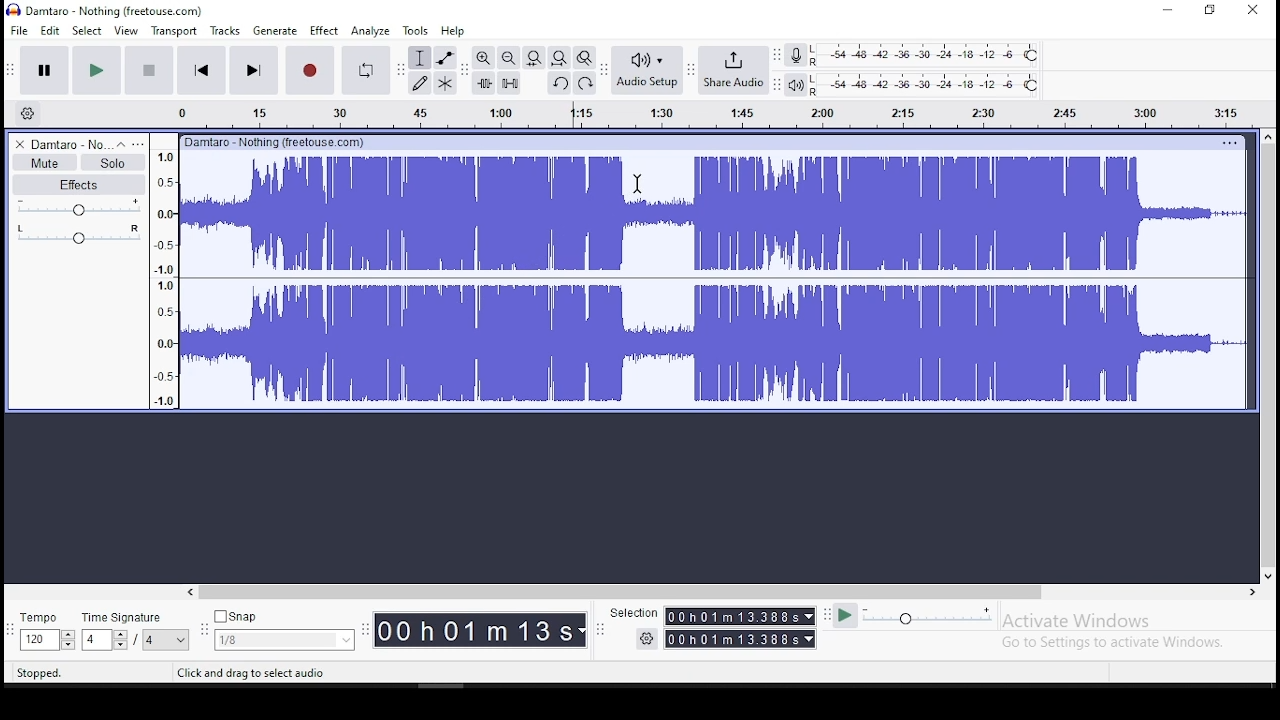  What do you see at coordinates (28, 114) in the screenshot?
I see `timeline settings` at bounding box center [28, 114].